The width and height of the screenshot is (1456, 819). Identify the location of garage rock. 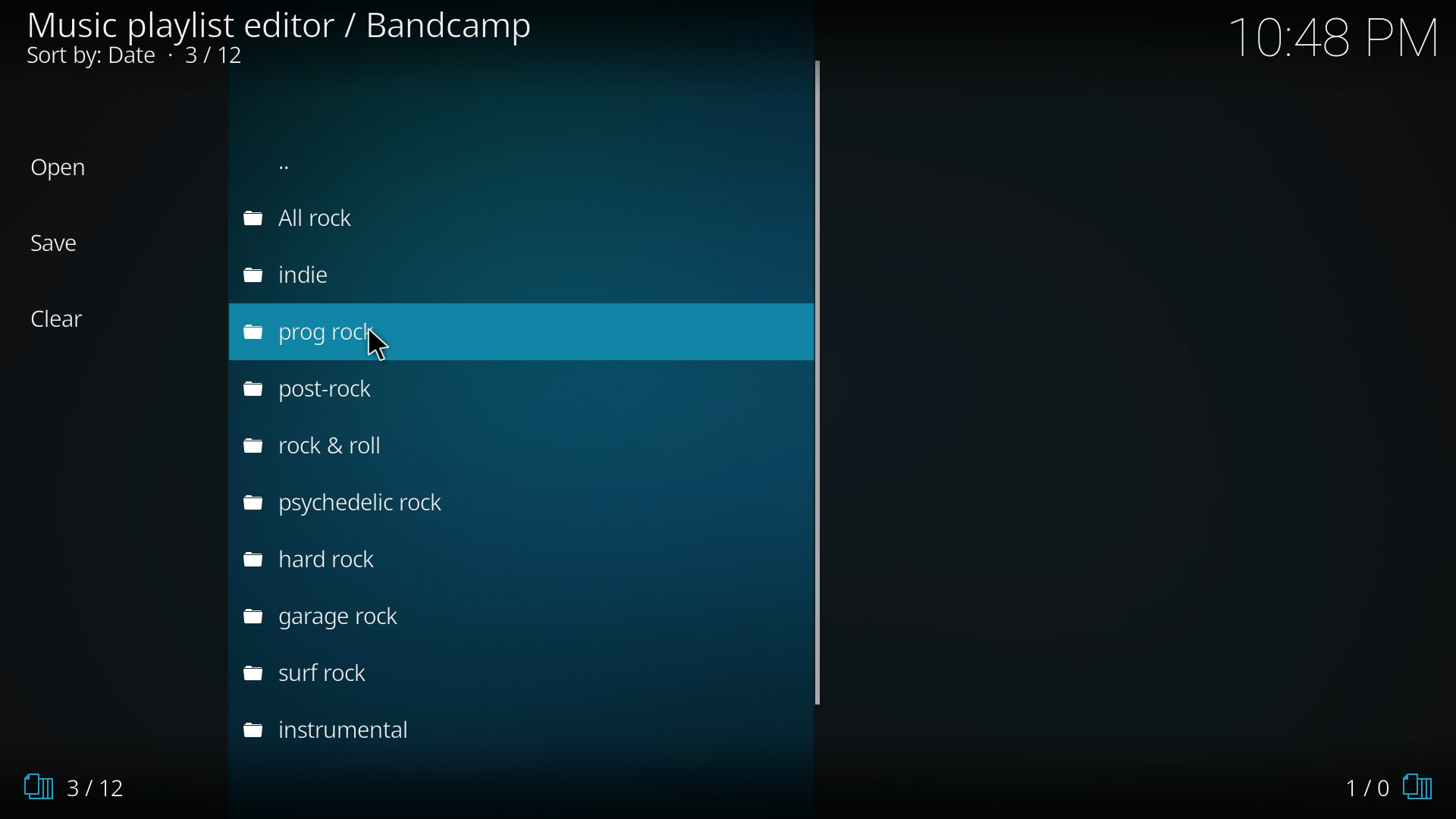
(339, 619).